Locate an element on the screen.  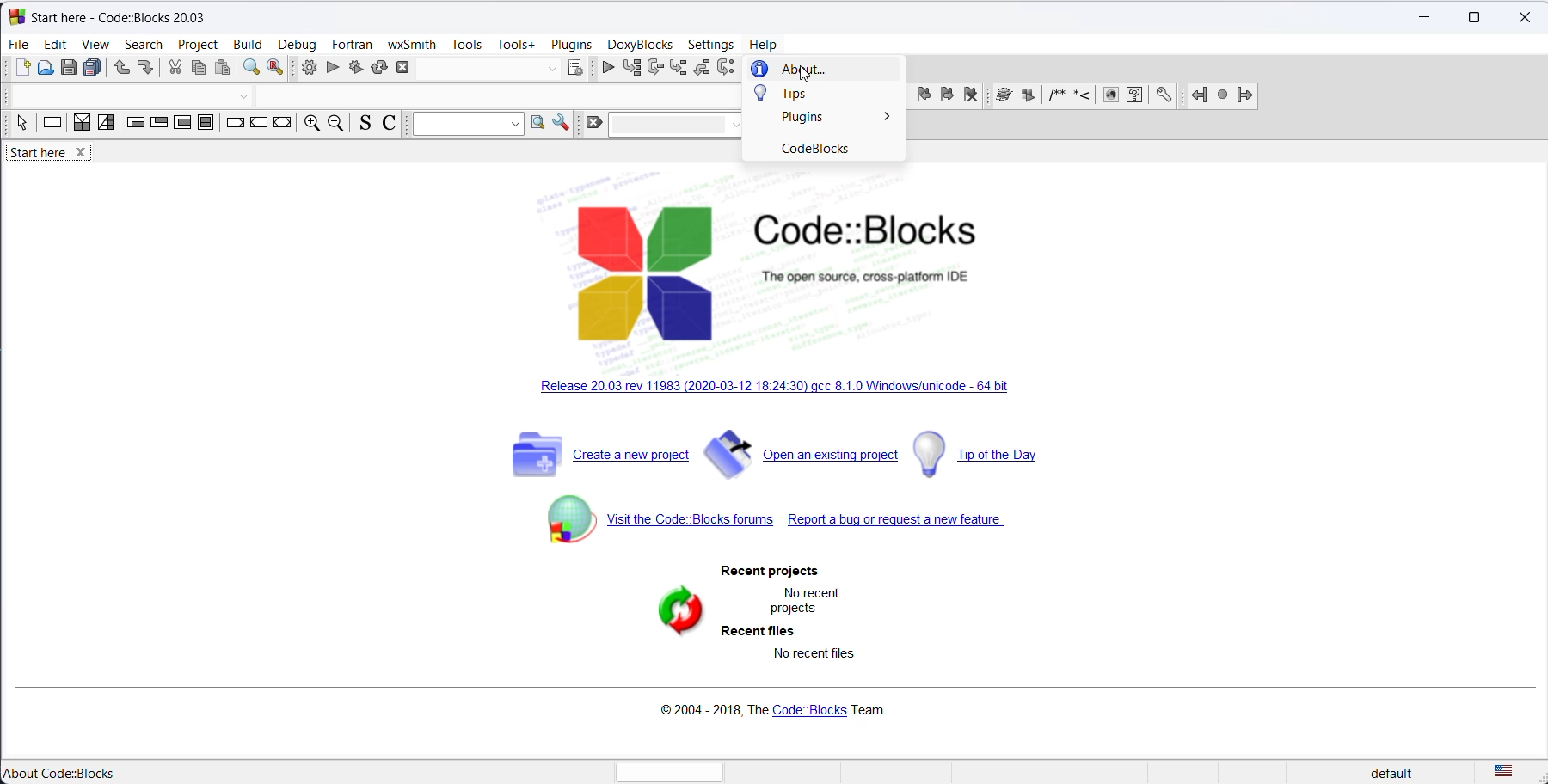
next bookmark is located at coordinates (947, 95).